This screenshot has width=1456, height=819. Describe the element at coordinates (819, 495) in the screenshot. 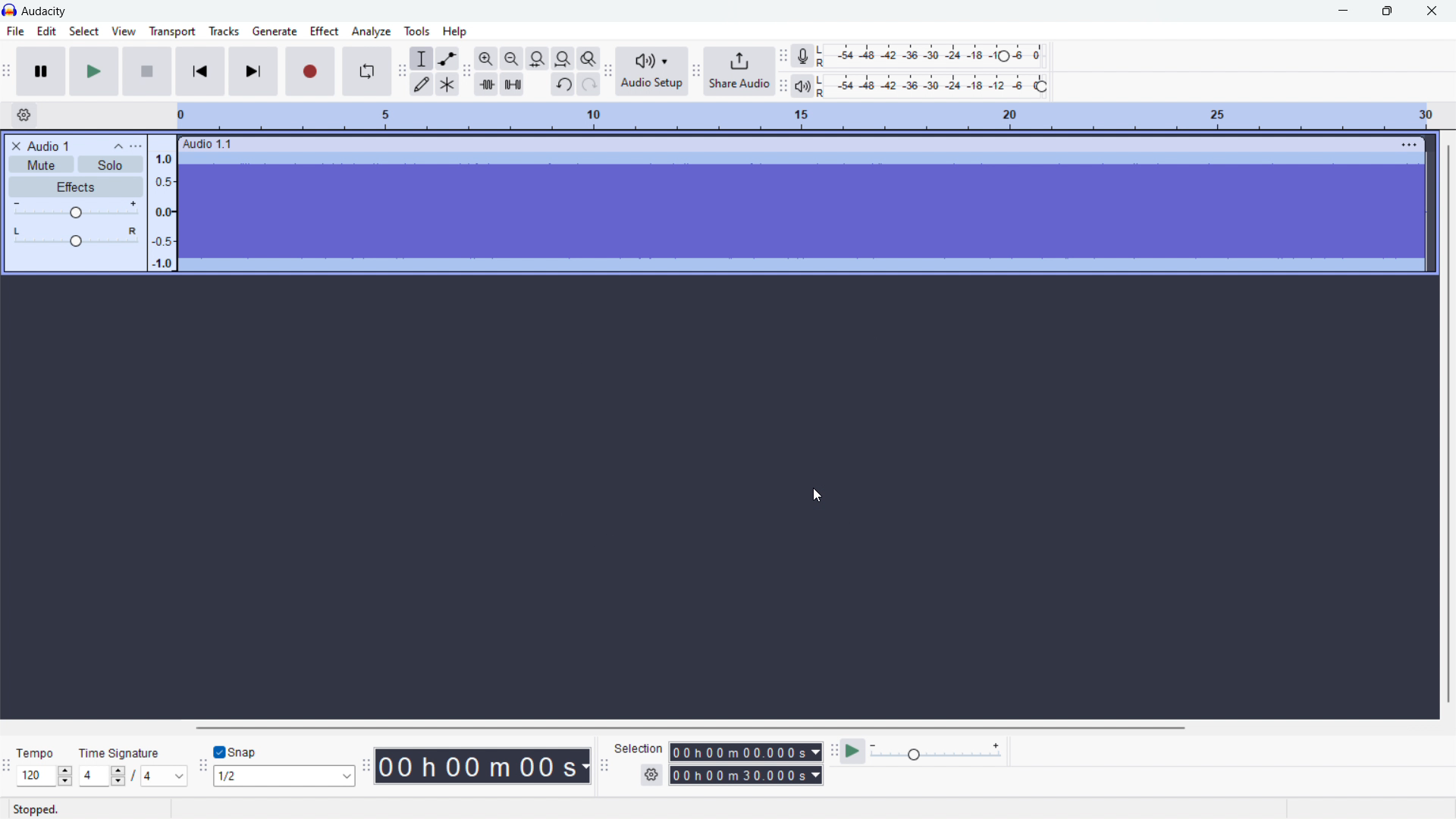

I see `cursor` at that location.